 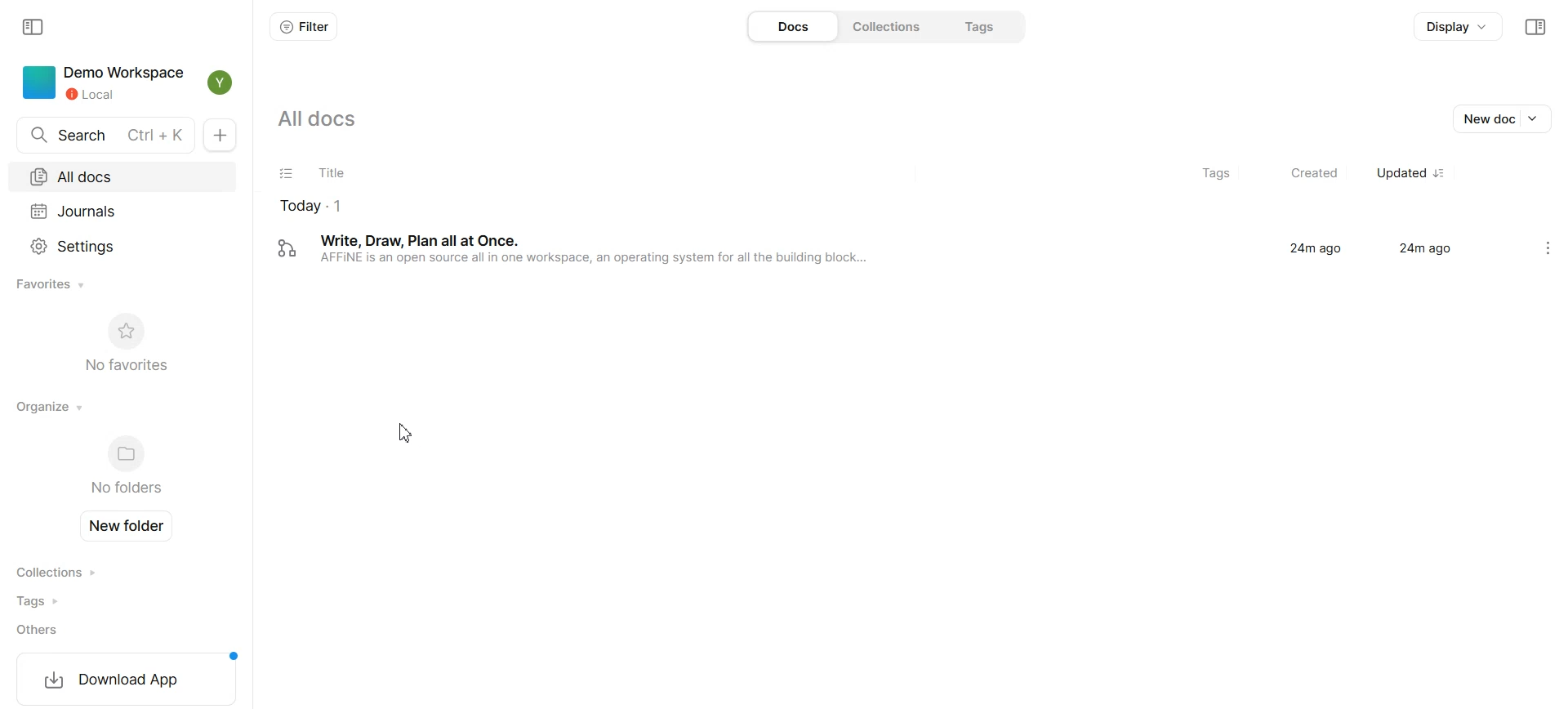 What do you see at coordinates (497, 207) in the screenshot?
I see `Today` at bounding box center [497, 207].